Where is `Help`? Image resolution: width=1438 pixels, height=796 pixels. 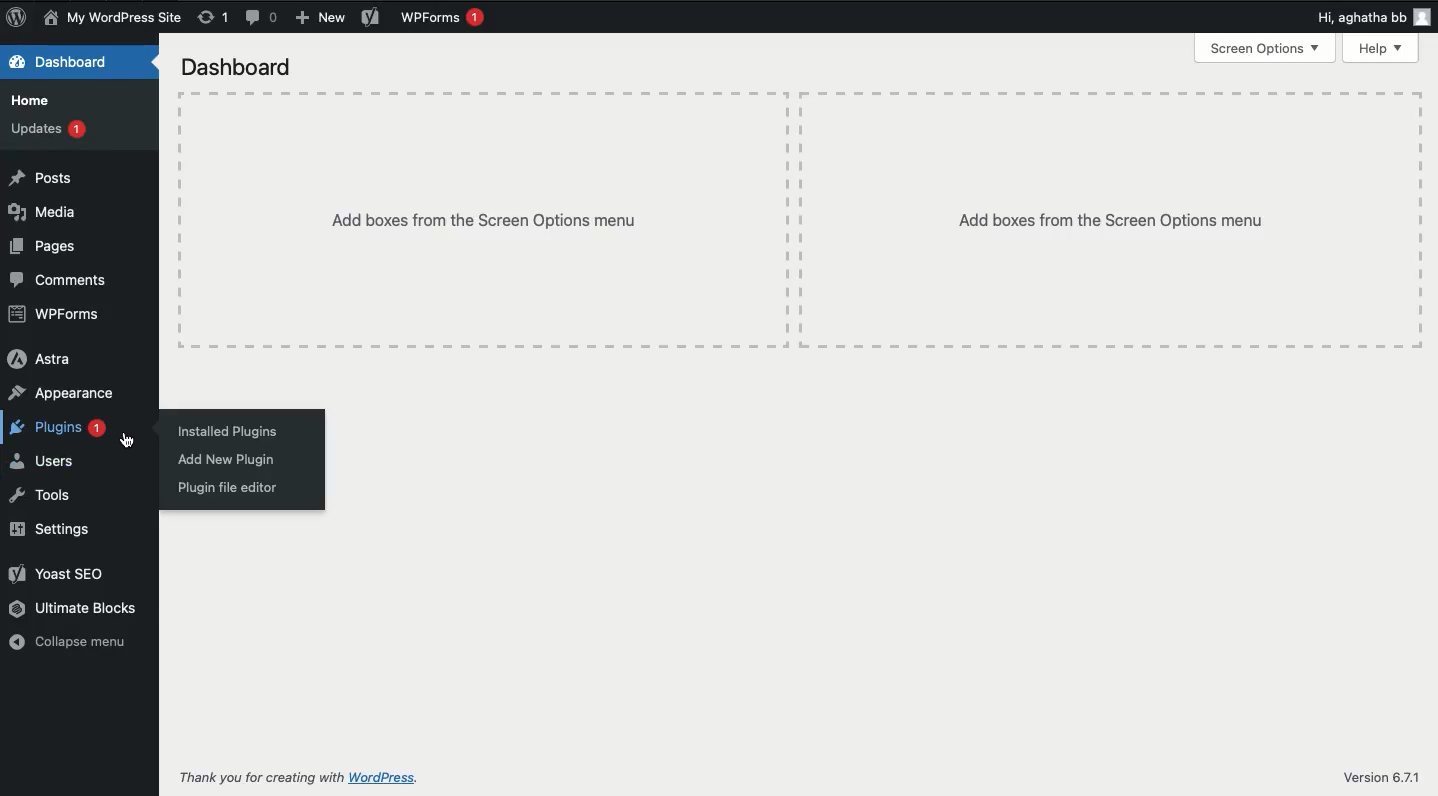 Help is located at coordinates (1384, 48).